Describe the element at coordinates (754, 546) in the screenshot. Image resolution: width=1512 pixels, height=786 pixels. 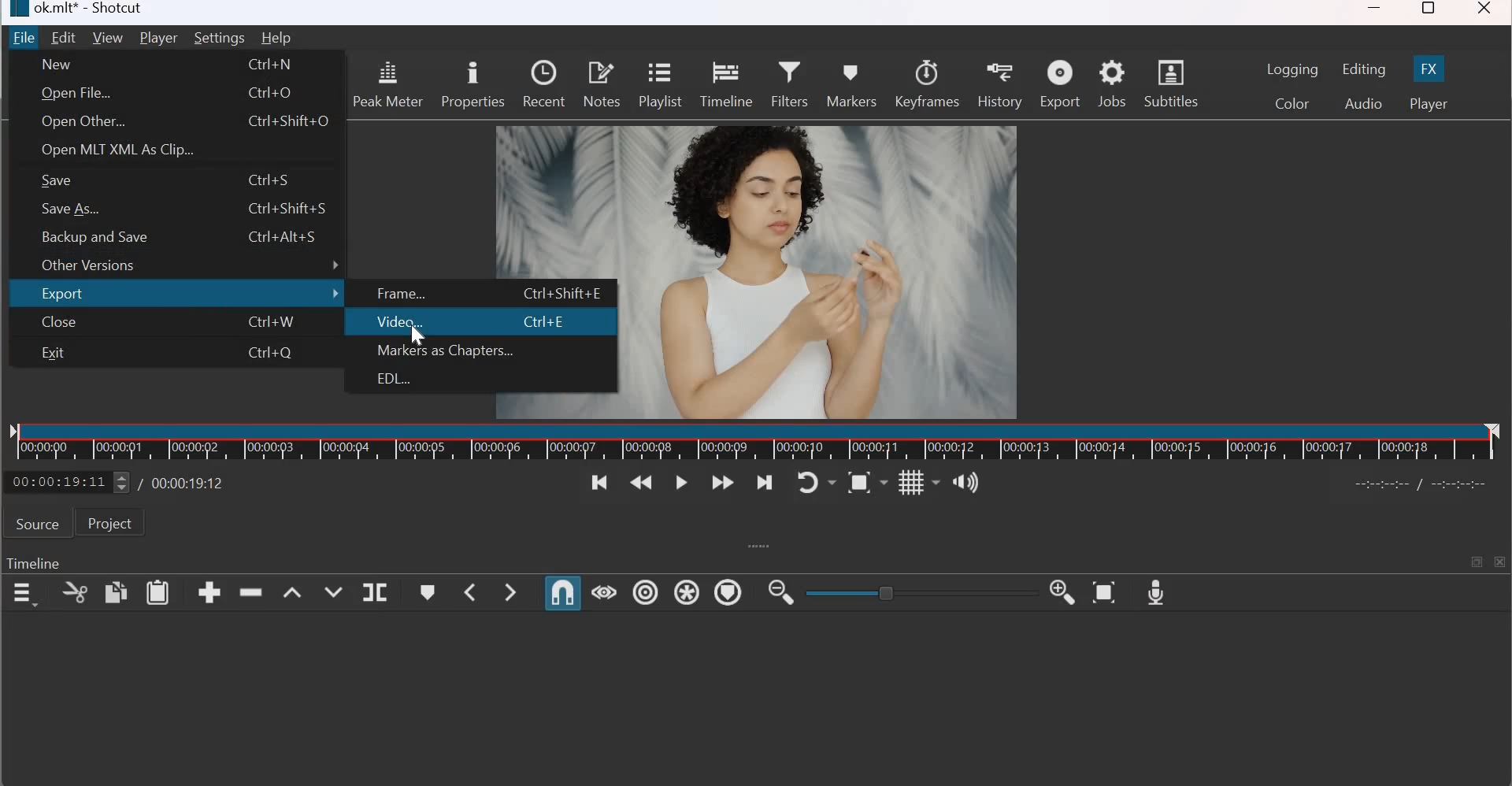
I see `expand` at that location.